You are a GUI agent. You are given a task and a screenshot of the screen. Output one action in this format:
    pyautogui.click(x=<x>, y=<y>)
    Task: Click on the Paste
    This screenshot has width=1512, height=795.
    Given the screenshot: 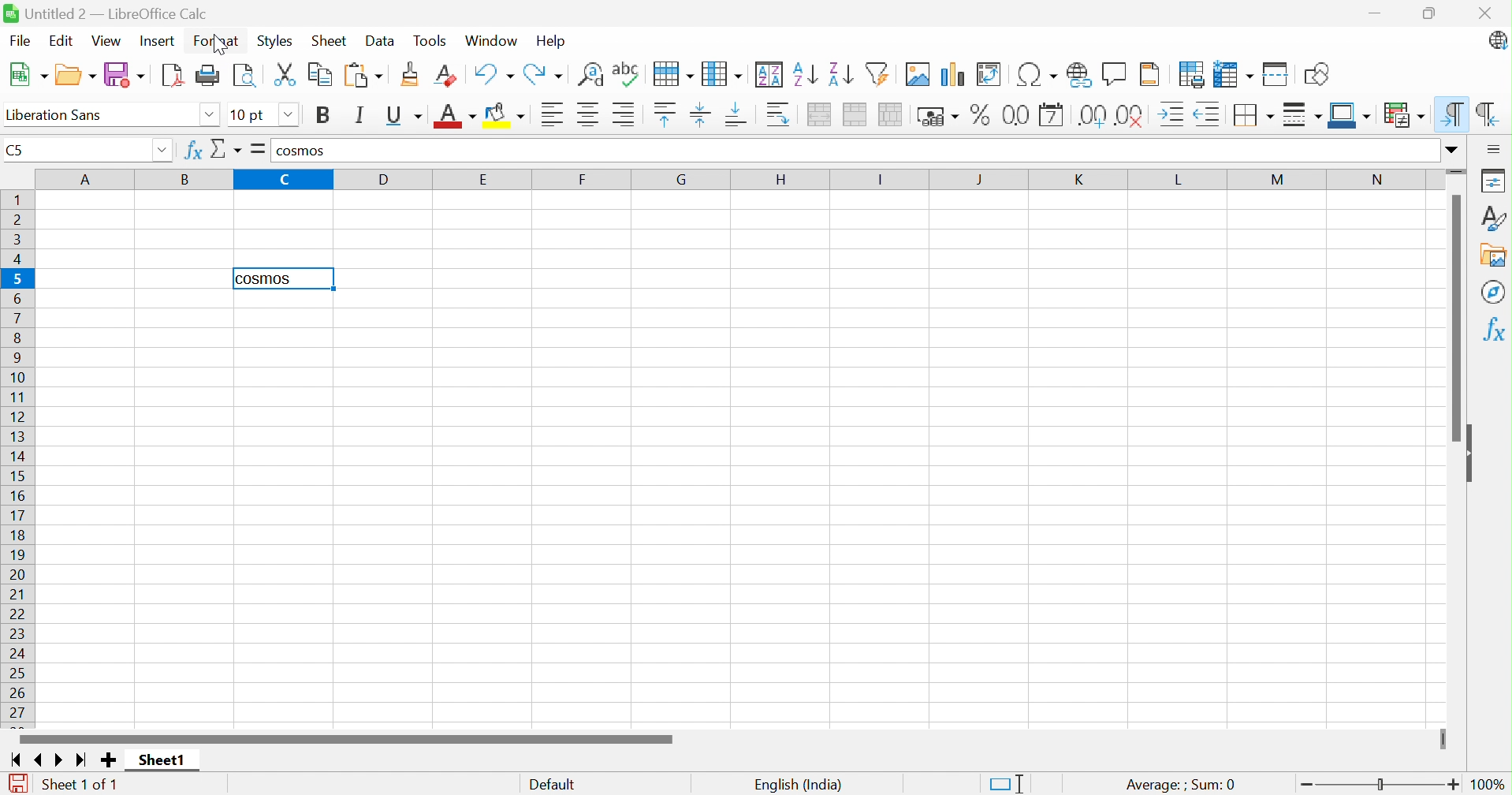 What is the action you would take?
    pyautogui.click(x=362, y=76)
    